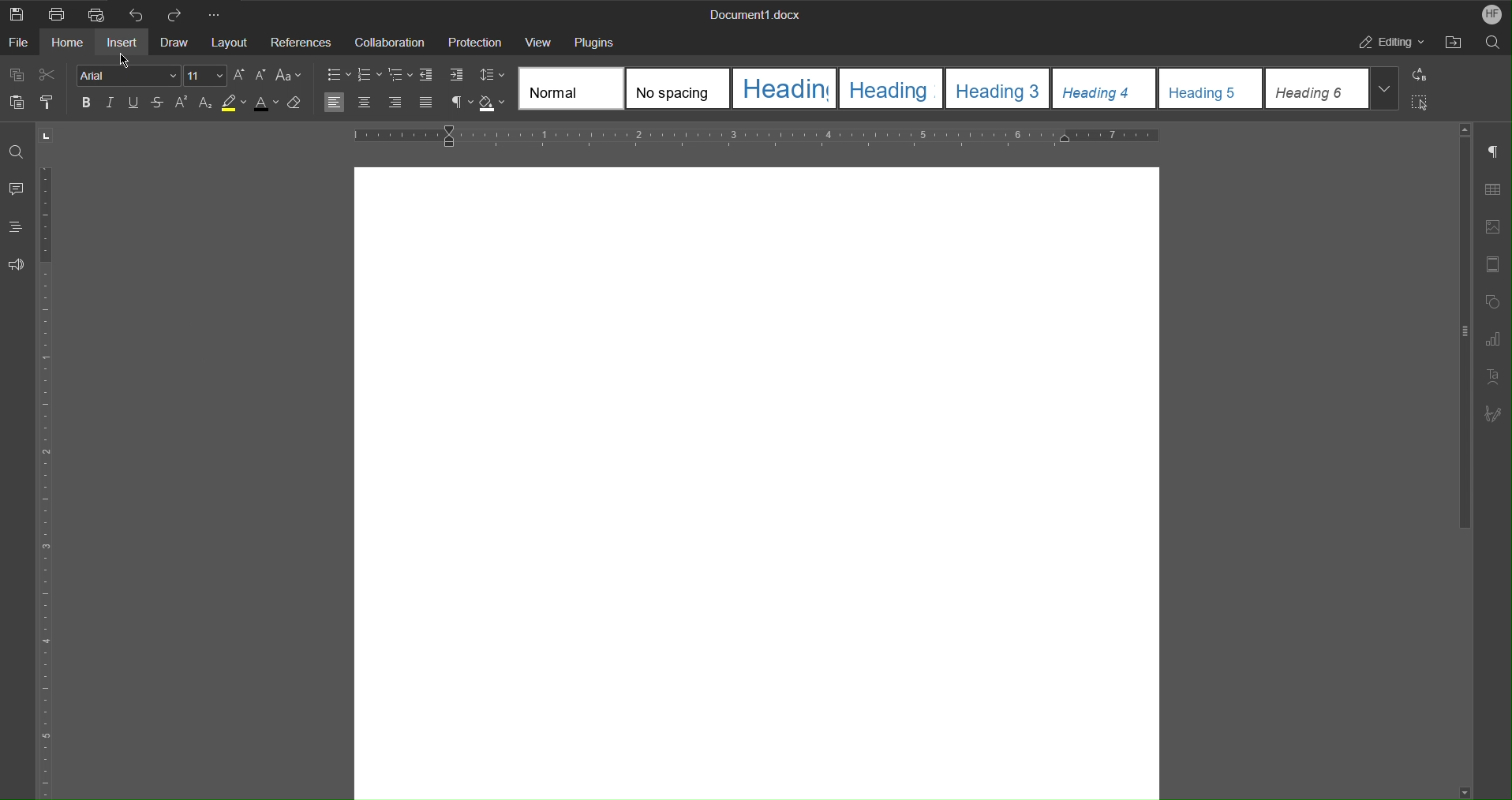  I want to click on Heading 1, so click(784, 88).